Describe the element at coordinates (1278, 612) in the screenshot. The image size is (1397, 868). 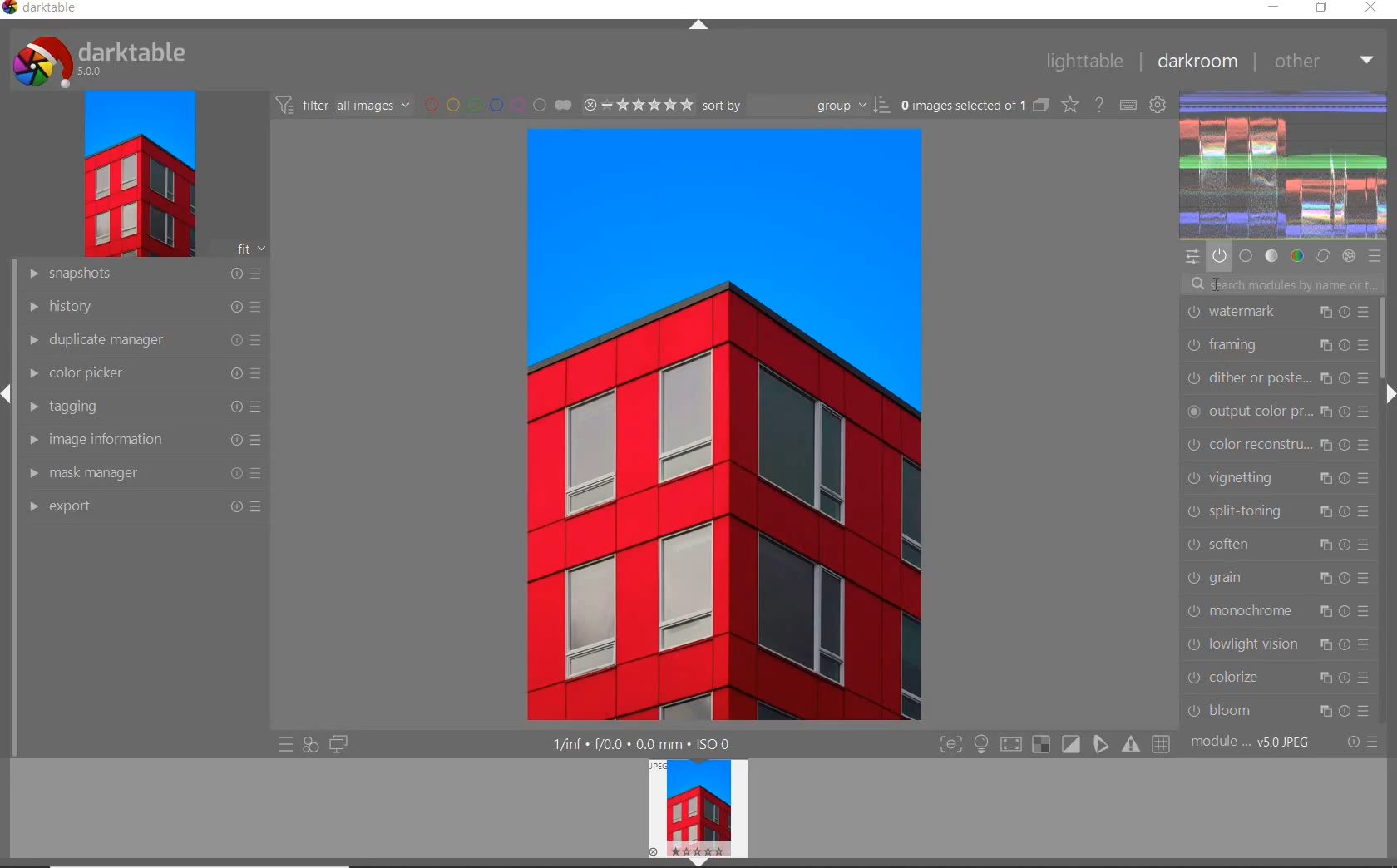
I see `monochrome` at that location.